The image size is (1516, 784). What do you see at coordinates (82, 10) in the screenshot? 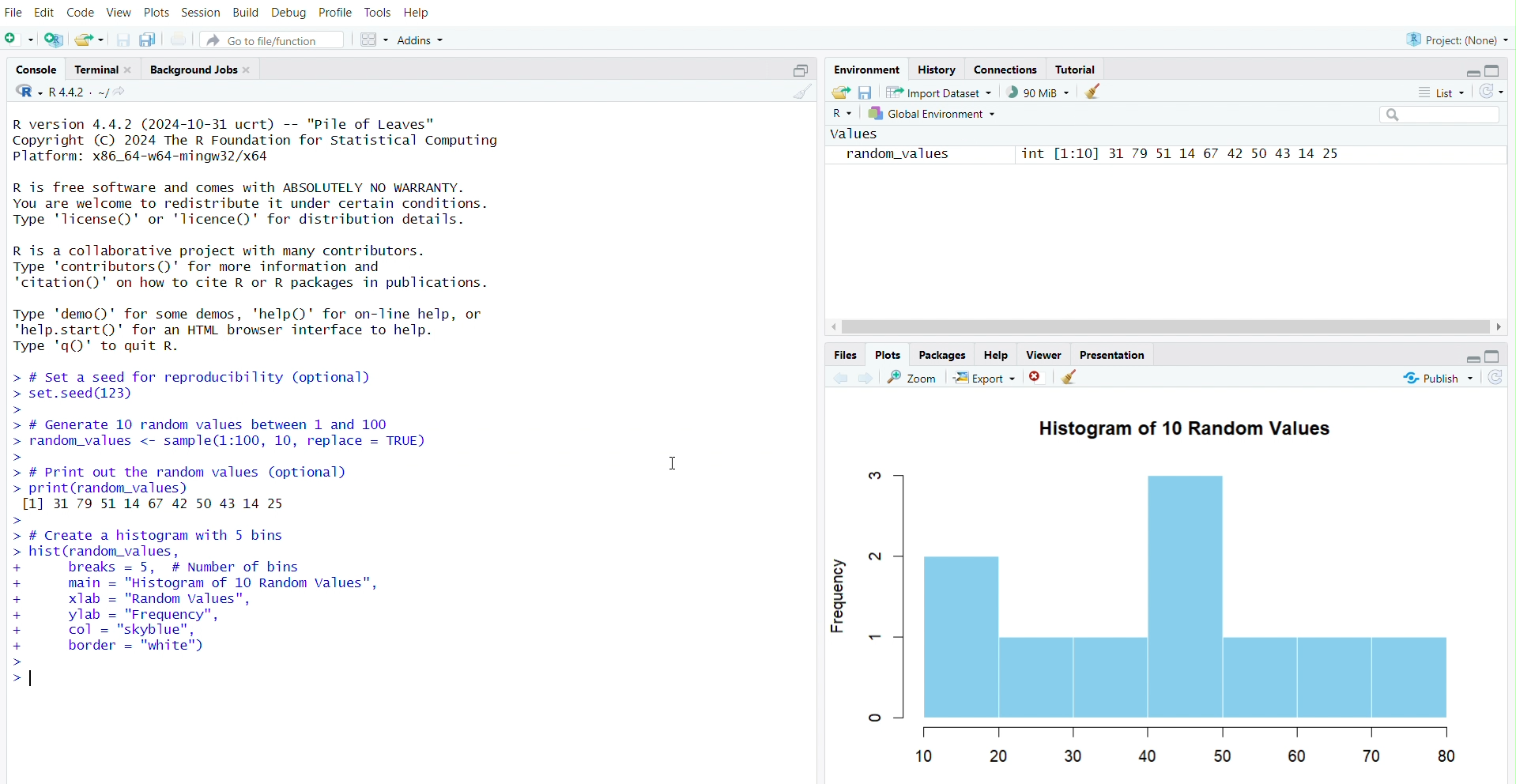
I see `code` at bounding box center [82, 10].